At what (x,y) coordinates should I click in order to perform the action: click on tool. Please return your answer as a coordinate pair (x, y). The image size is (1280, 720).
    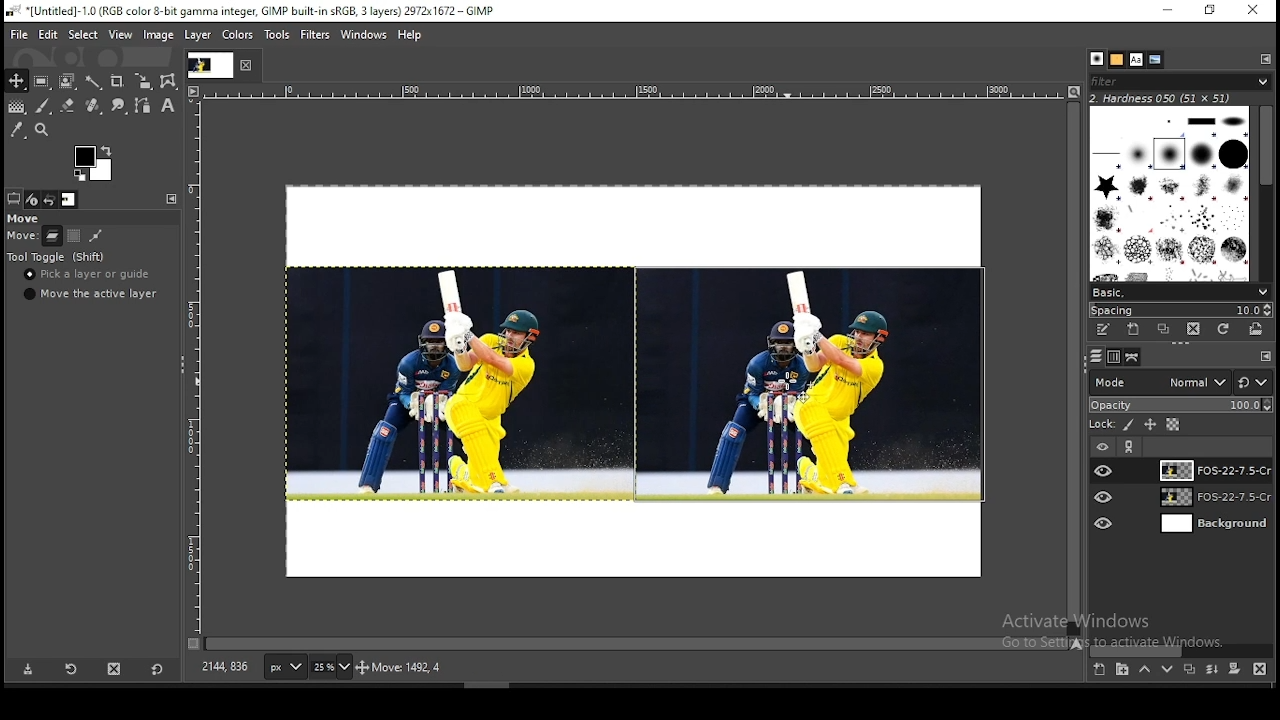
    Looking at the image, I should click on (1265, 58).